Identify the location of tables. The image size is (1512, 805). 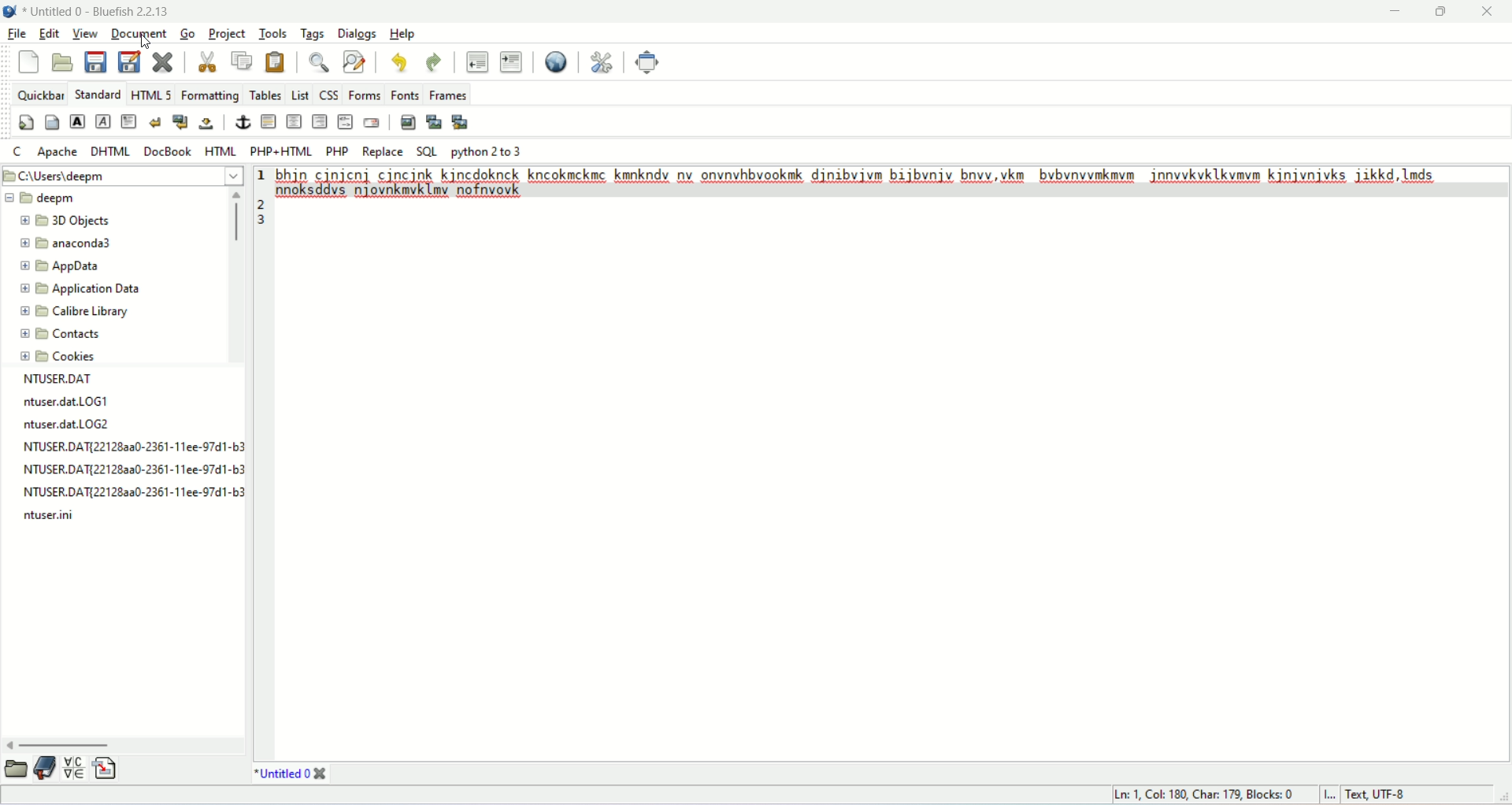
(264, 95).